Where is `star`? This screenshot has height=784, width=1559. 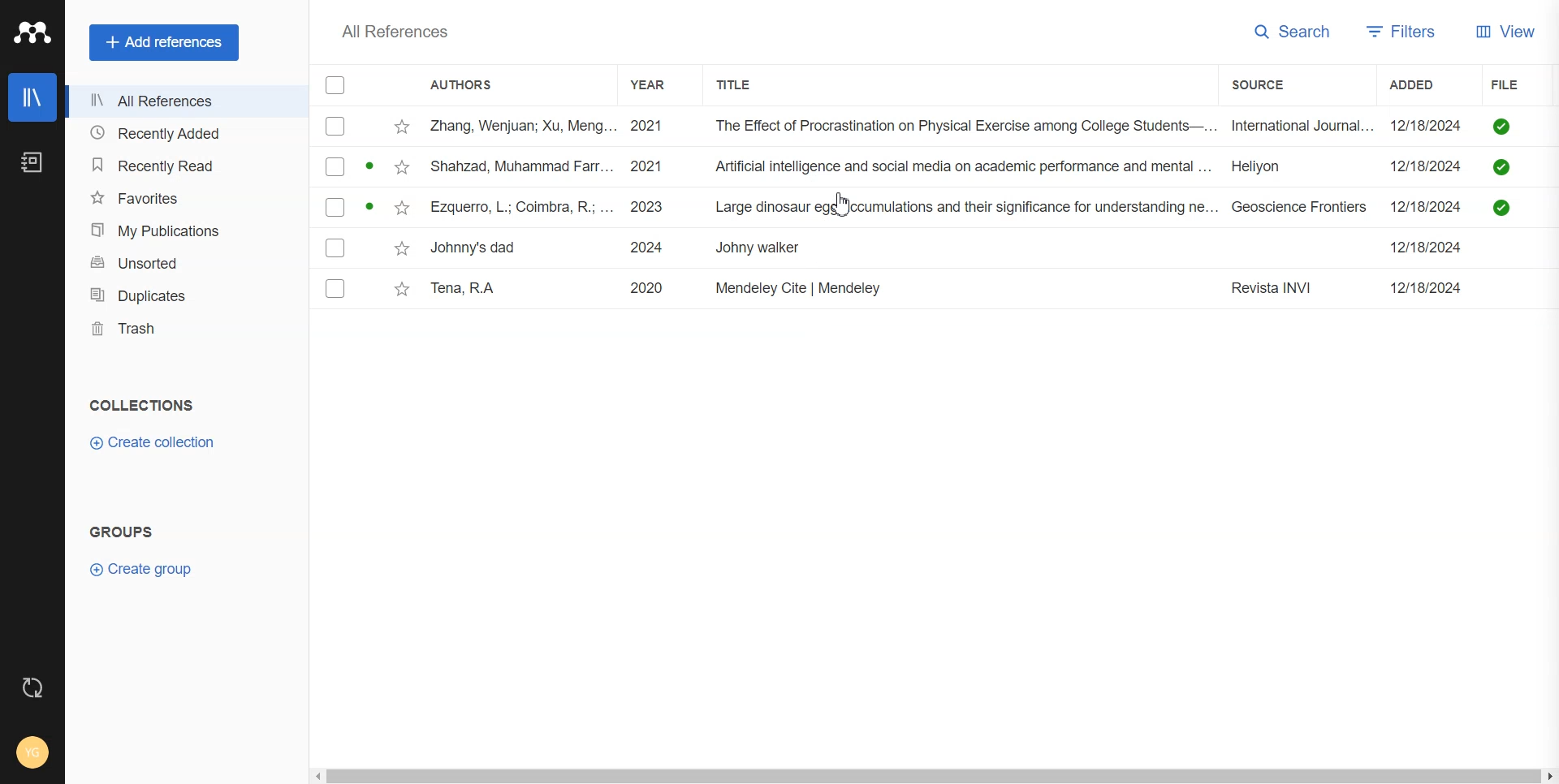
star is located at coordinates (404, 127).